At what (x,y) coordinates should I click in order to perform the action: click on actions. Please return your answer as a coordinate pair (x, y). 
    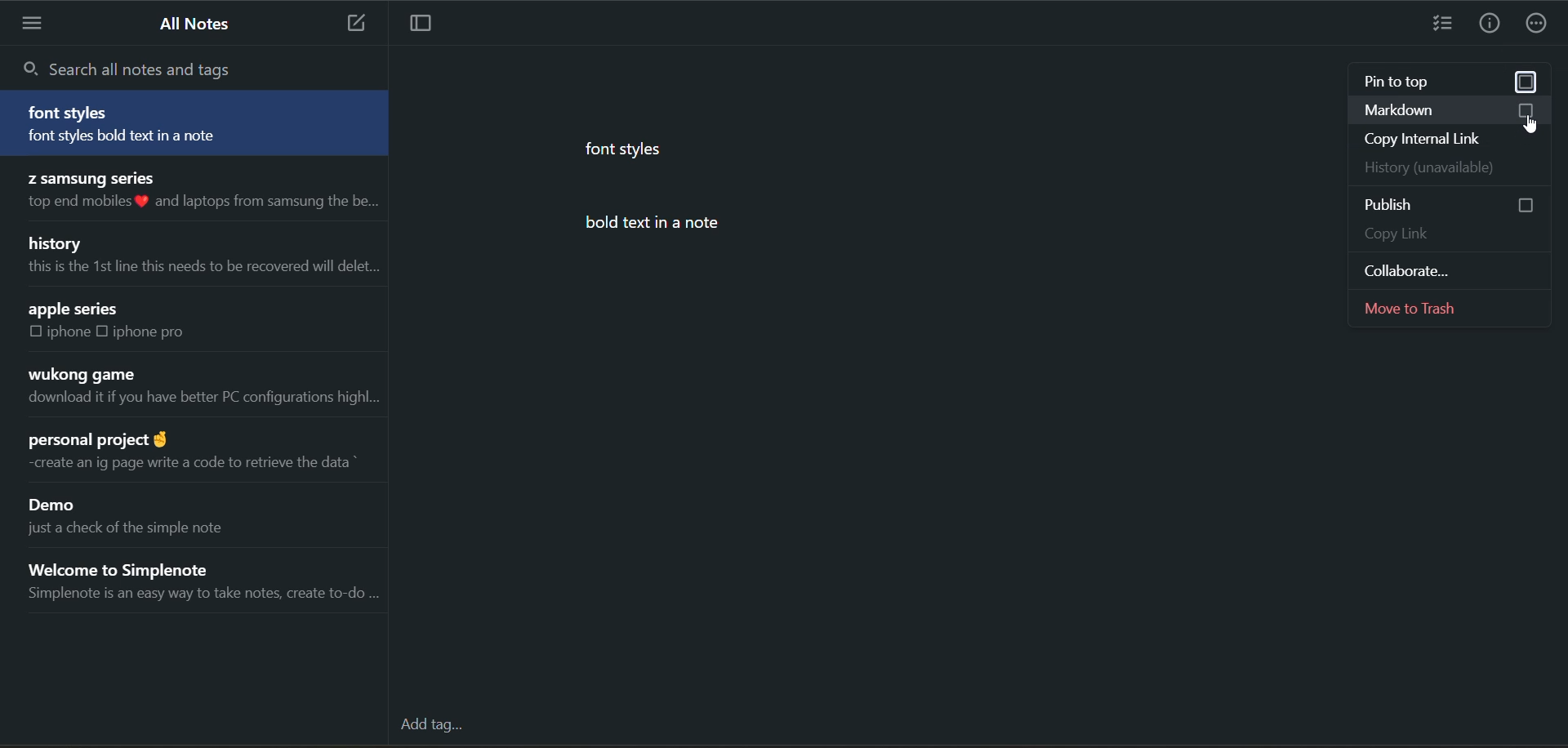
    Looking at the image, I should click on (1537, 26).